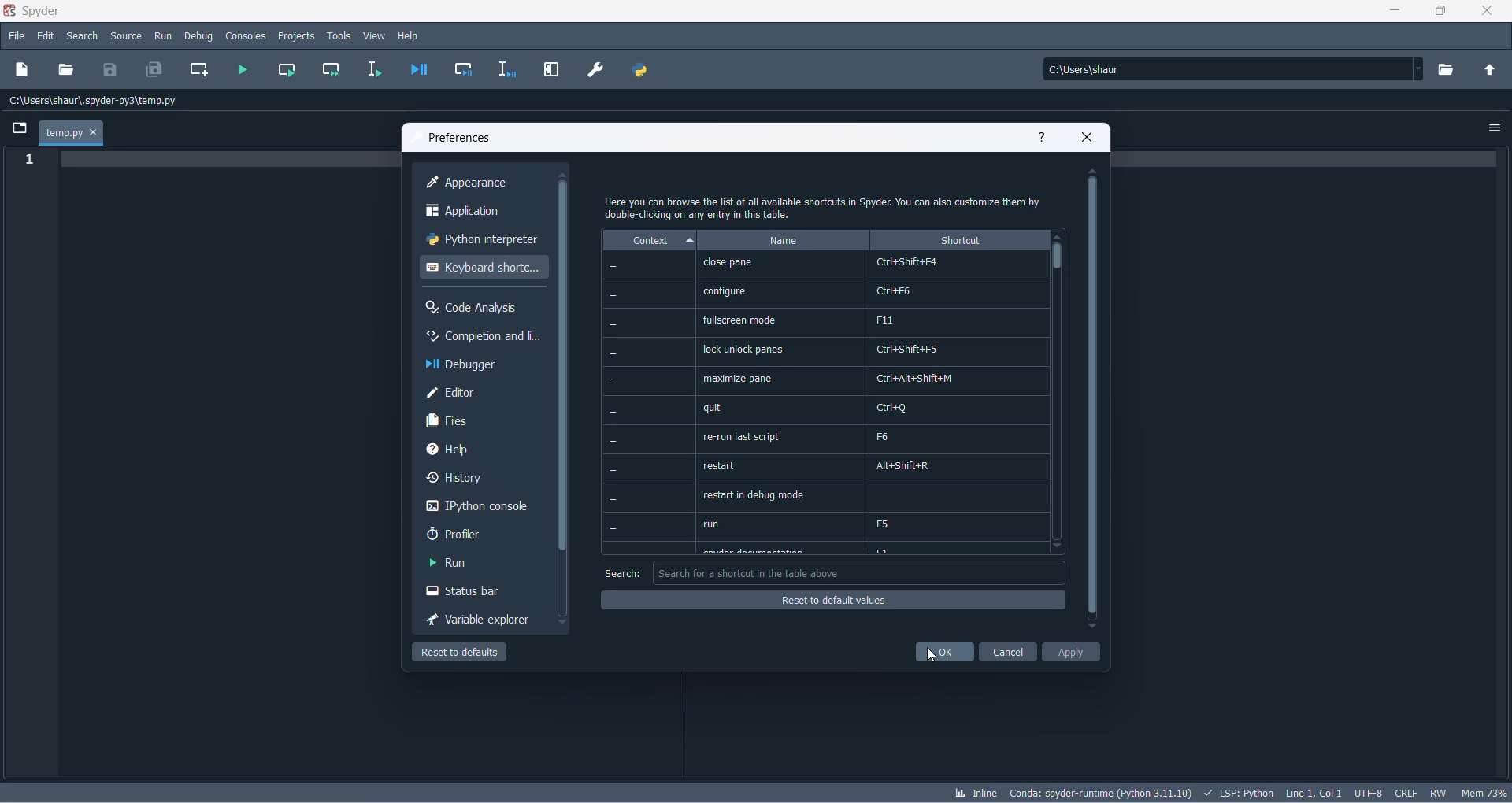 The height and width of the screenshot is (803, 1512). I want to click on appearance, so click(485, 183).